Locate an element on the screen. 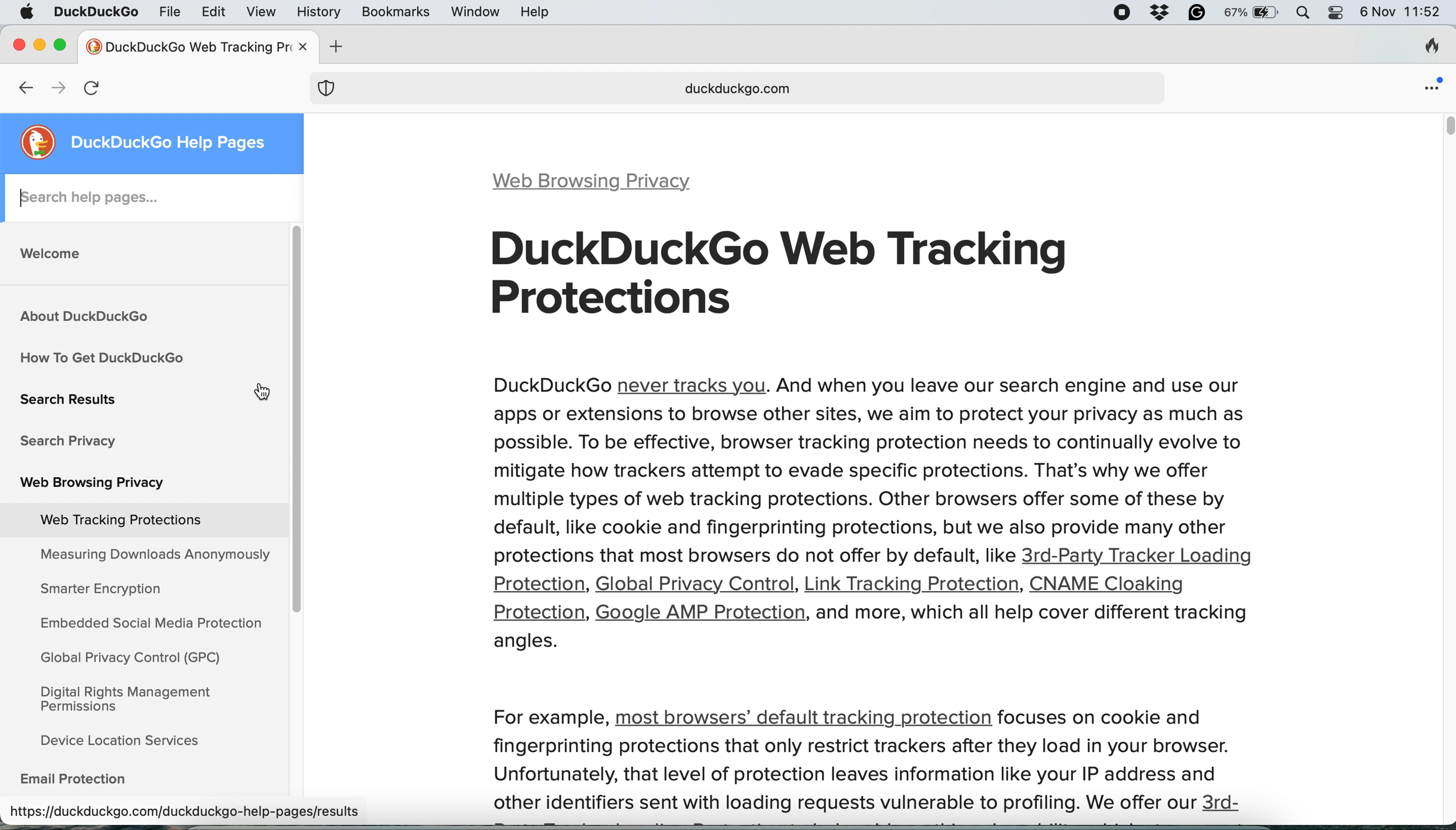 Image resolution: width=1456 pixels, height=830 pixels. close is located at coordinates (16, 45).